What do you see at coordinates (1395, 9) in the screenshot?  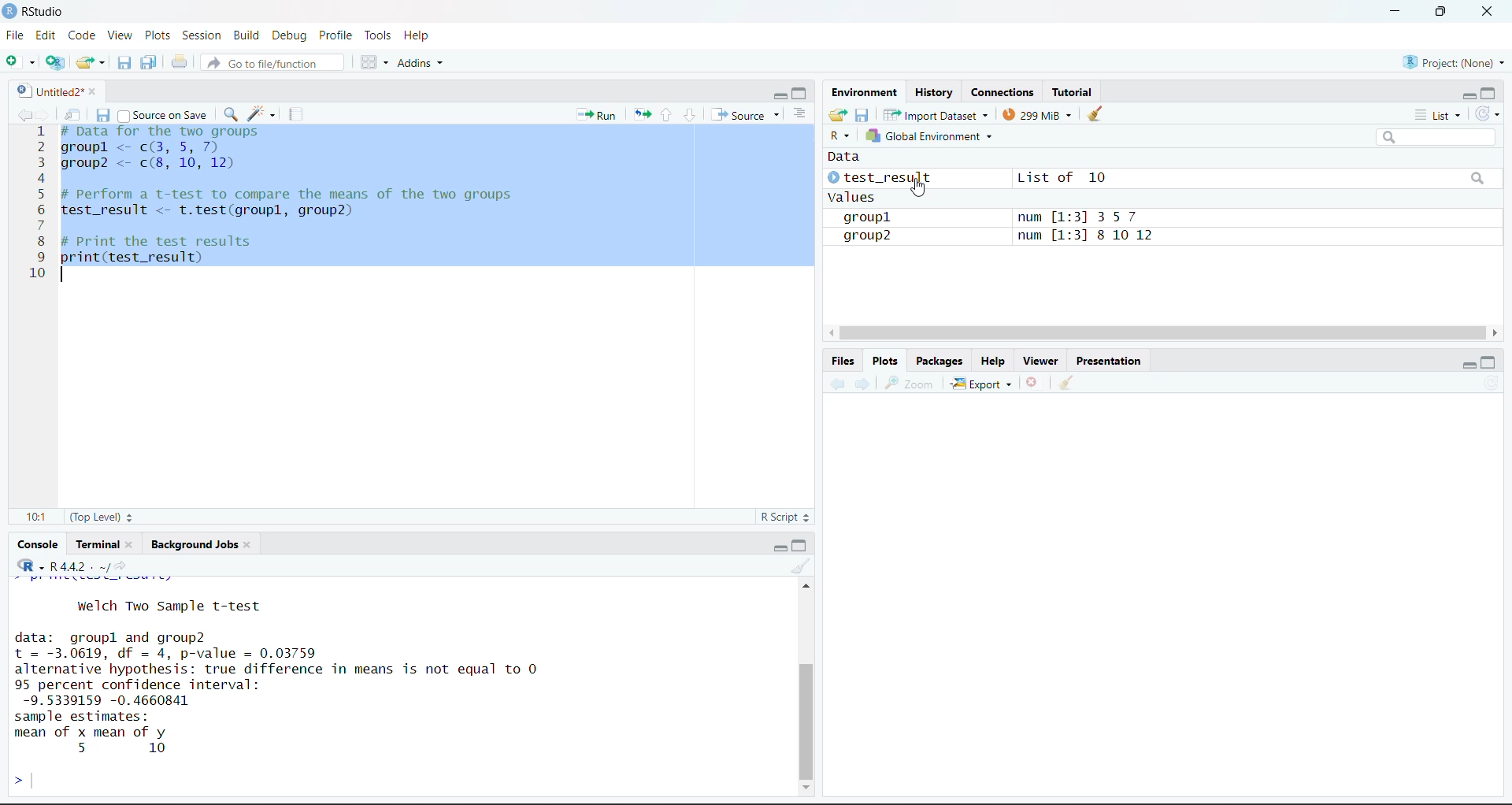 I see `minimize` at bounding box center [1395, 9].